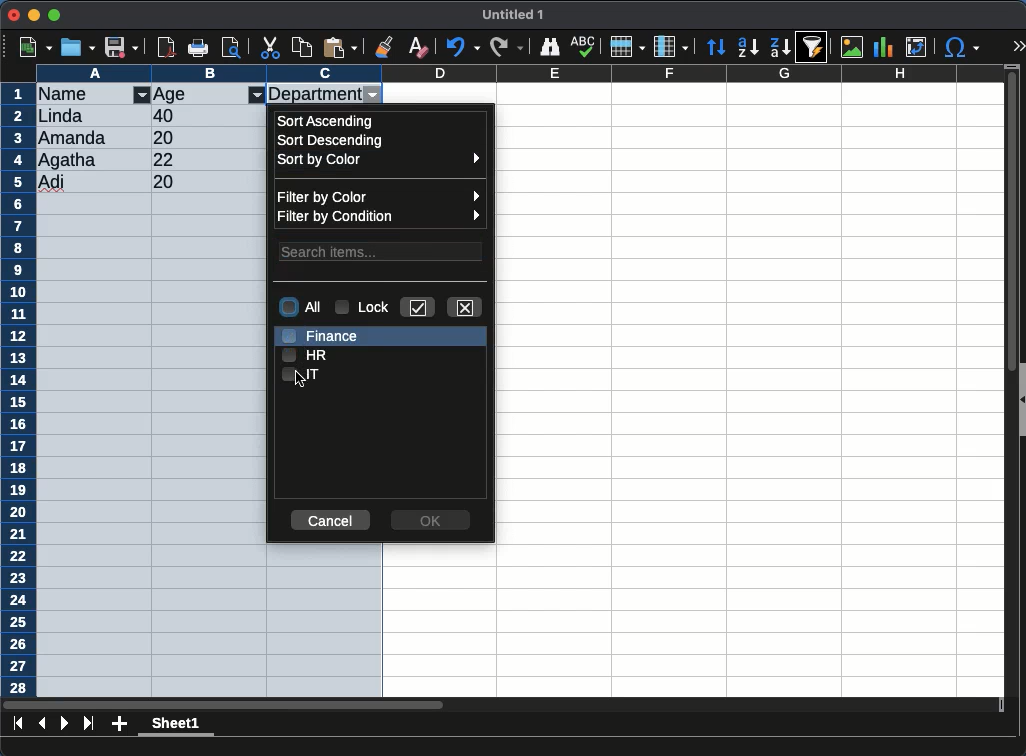  Describe the element at coordinates (329, 521) in the screenshot. I see `cancel ` at that location.